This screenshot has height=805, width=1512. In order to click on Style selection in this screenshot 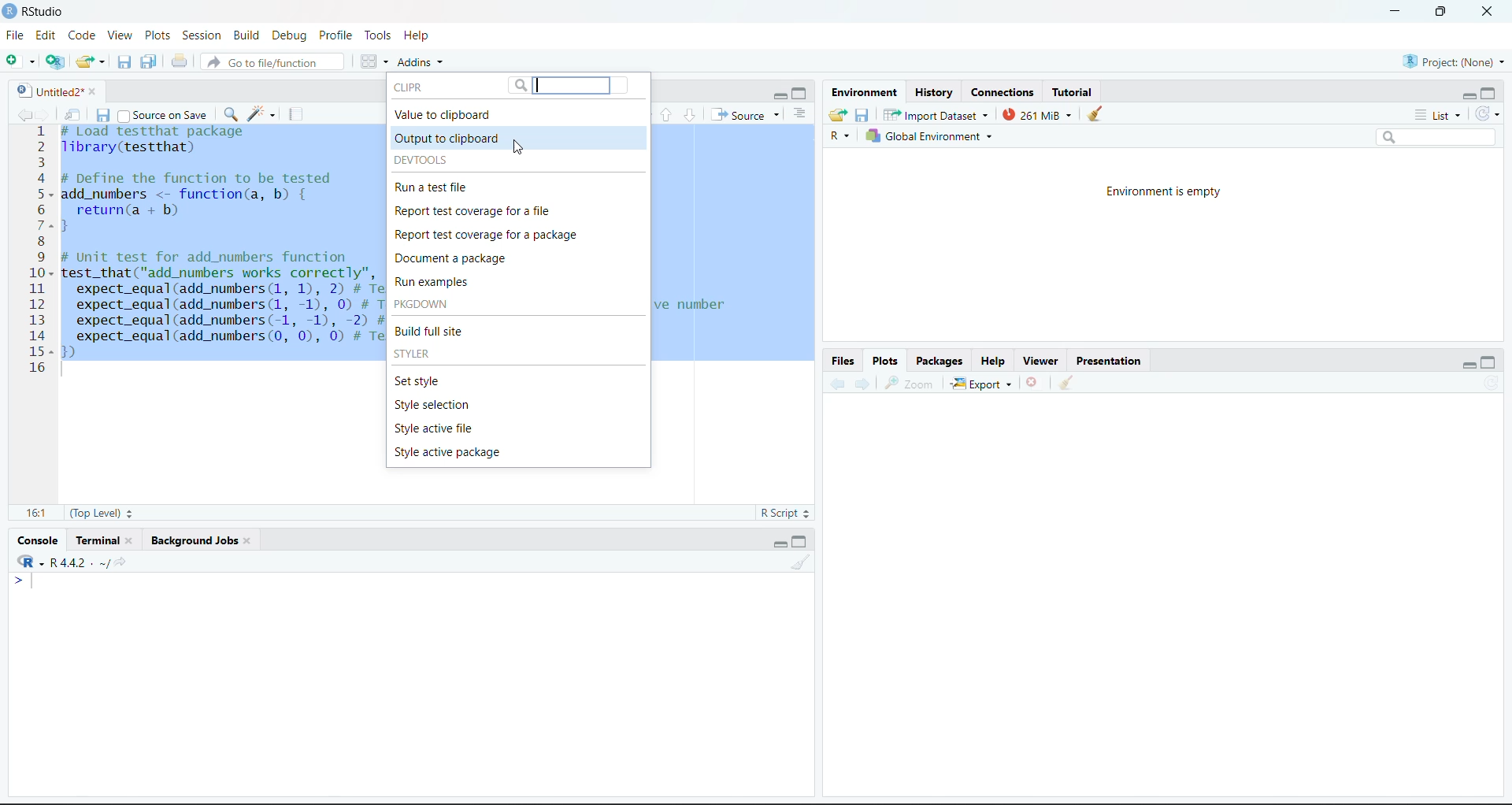, I will do `click(433, 404)`.